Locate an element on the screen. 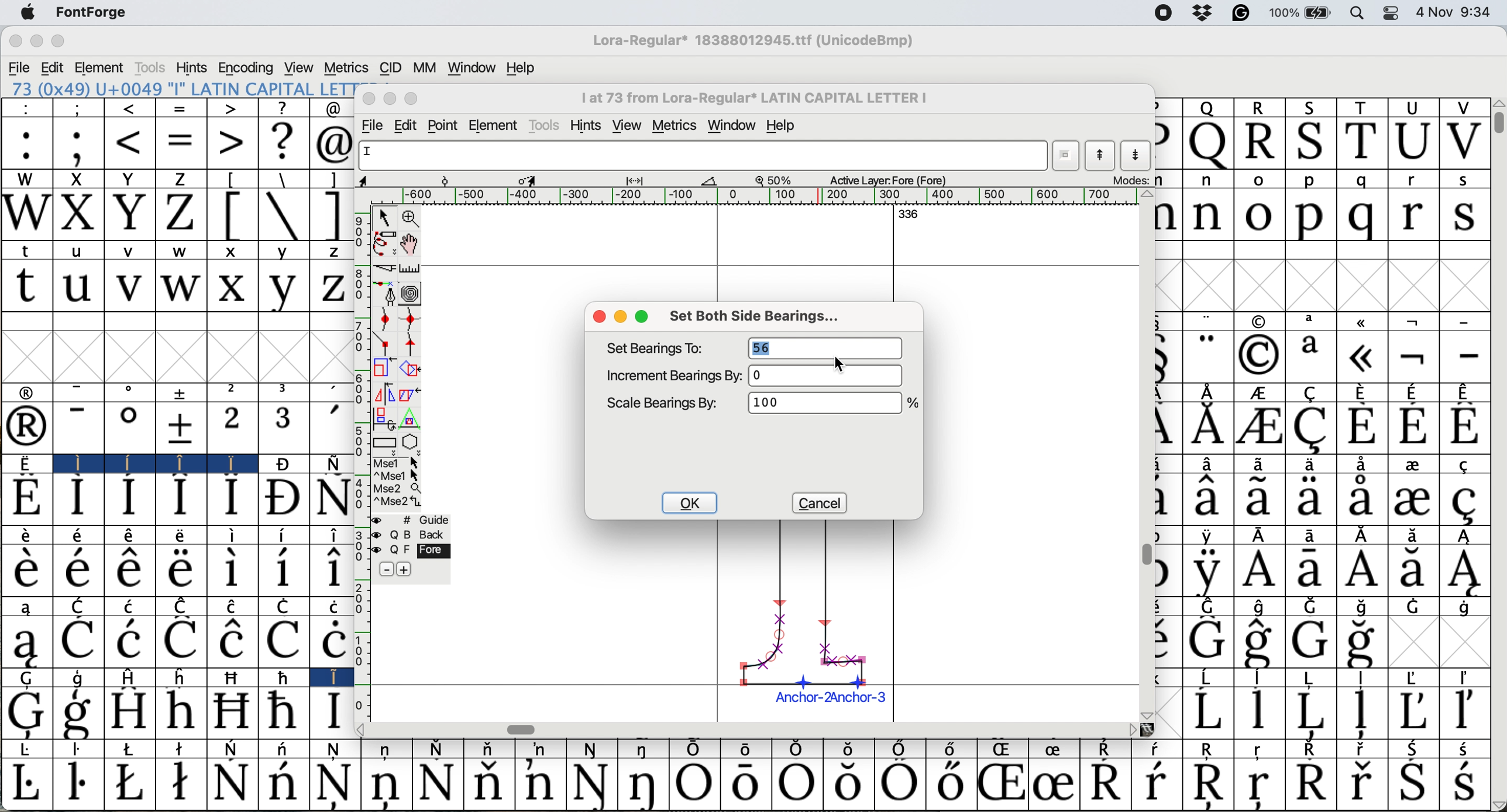 Image resolution: width=1507 pixels, height=812 pixels. Symbol is located at coordinates (284, 535).